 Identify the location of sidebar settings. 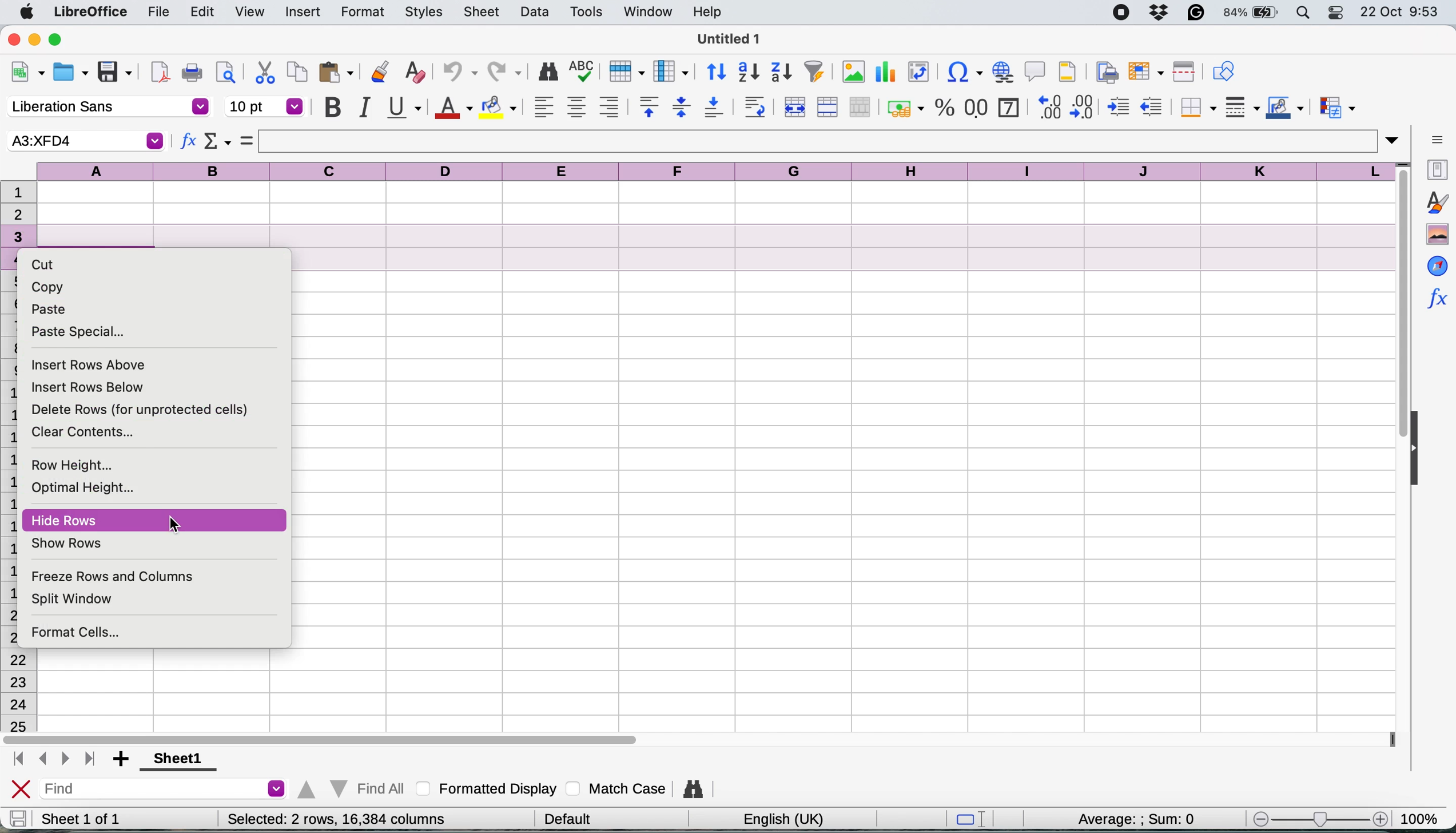
(1437, 138).